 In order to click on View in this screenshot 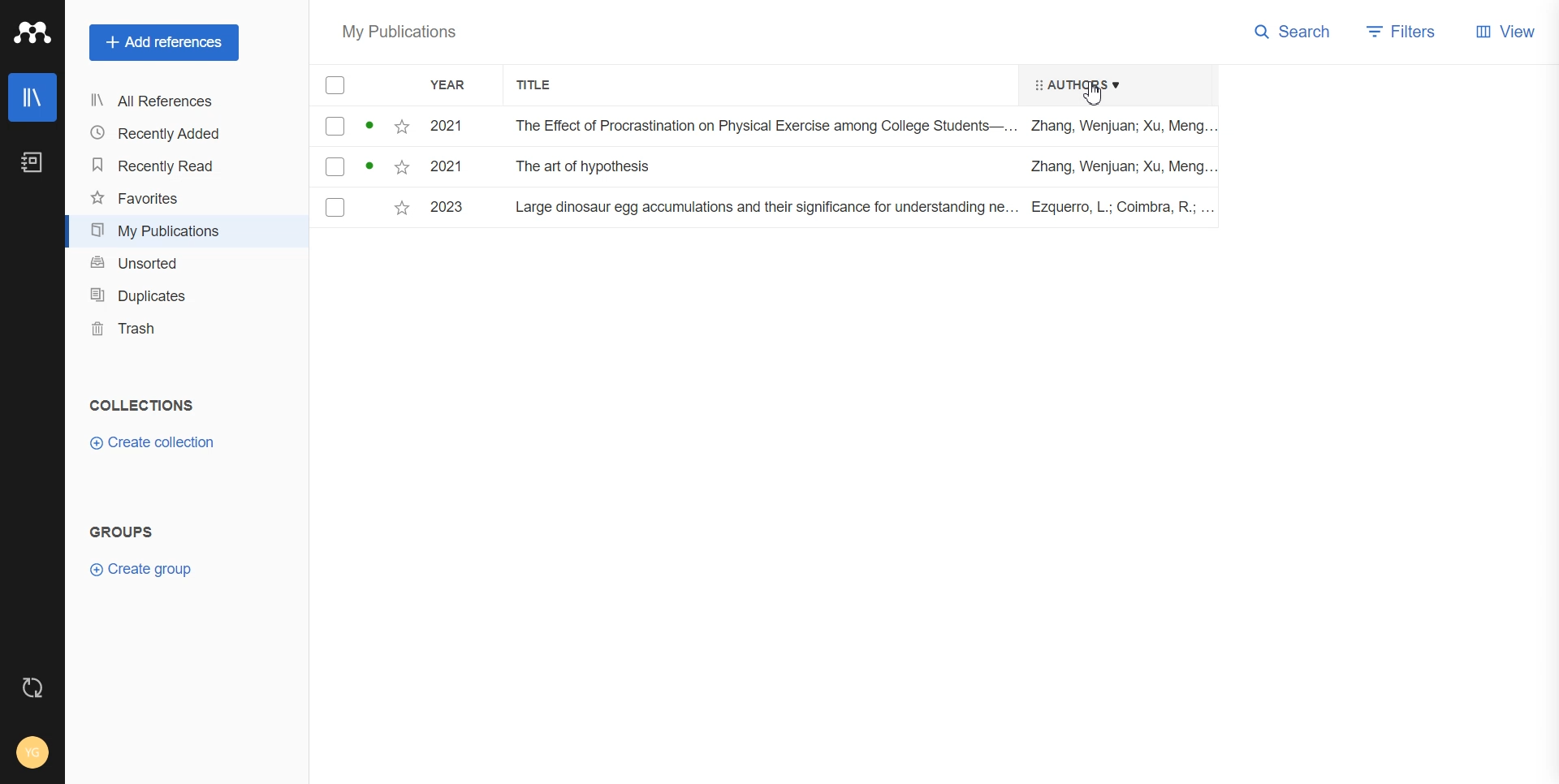, I will do `click(1508, 31)`.